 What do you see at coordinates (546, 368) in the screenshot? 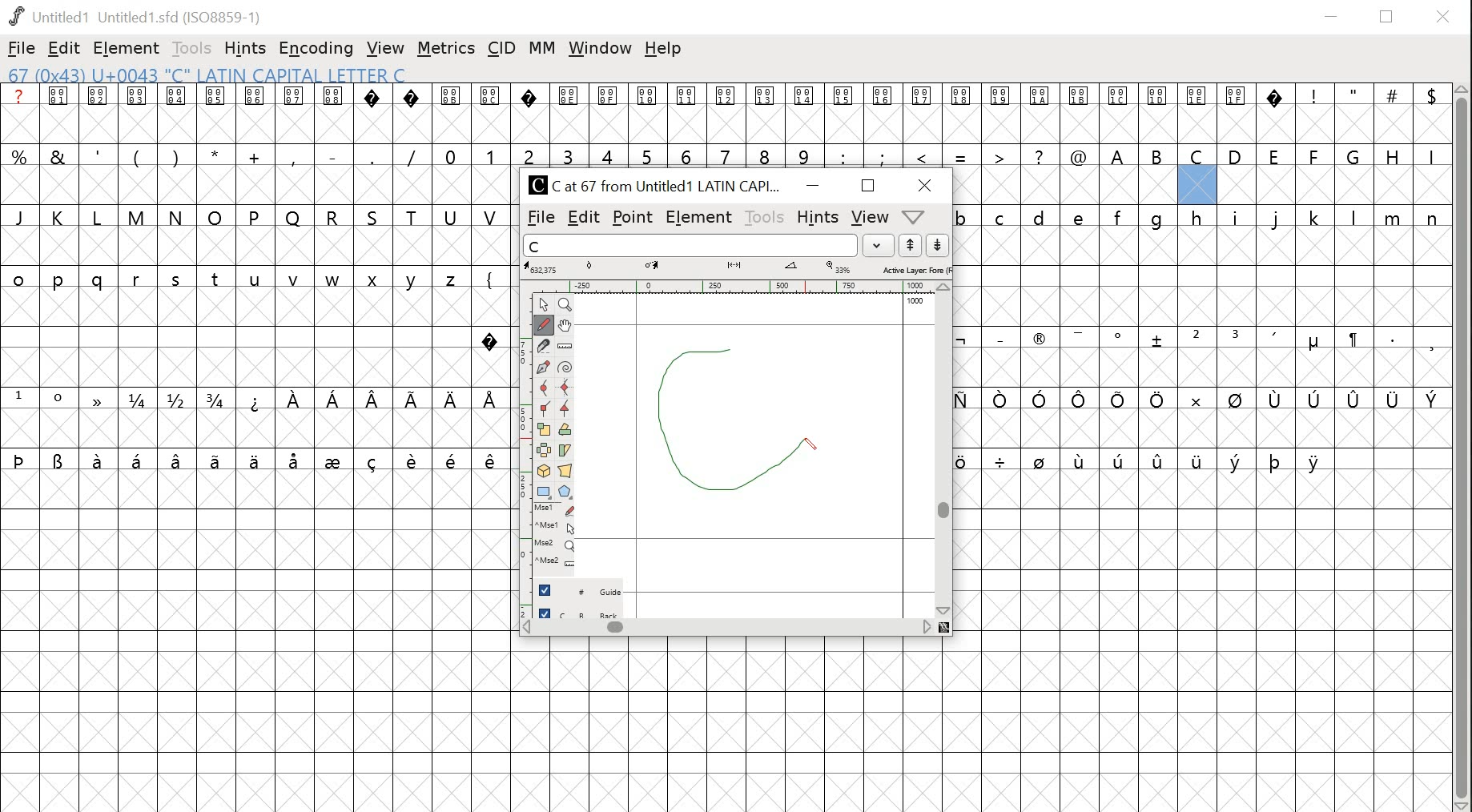
I see `pen` at bounding box center [546, 368].